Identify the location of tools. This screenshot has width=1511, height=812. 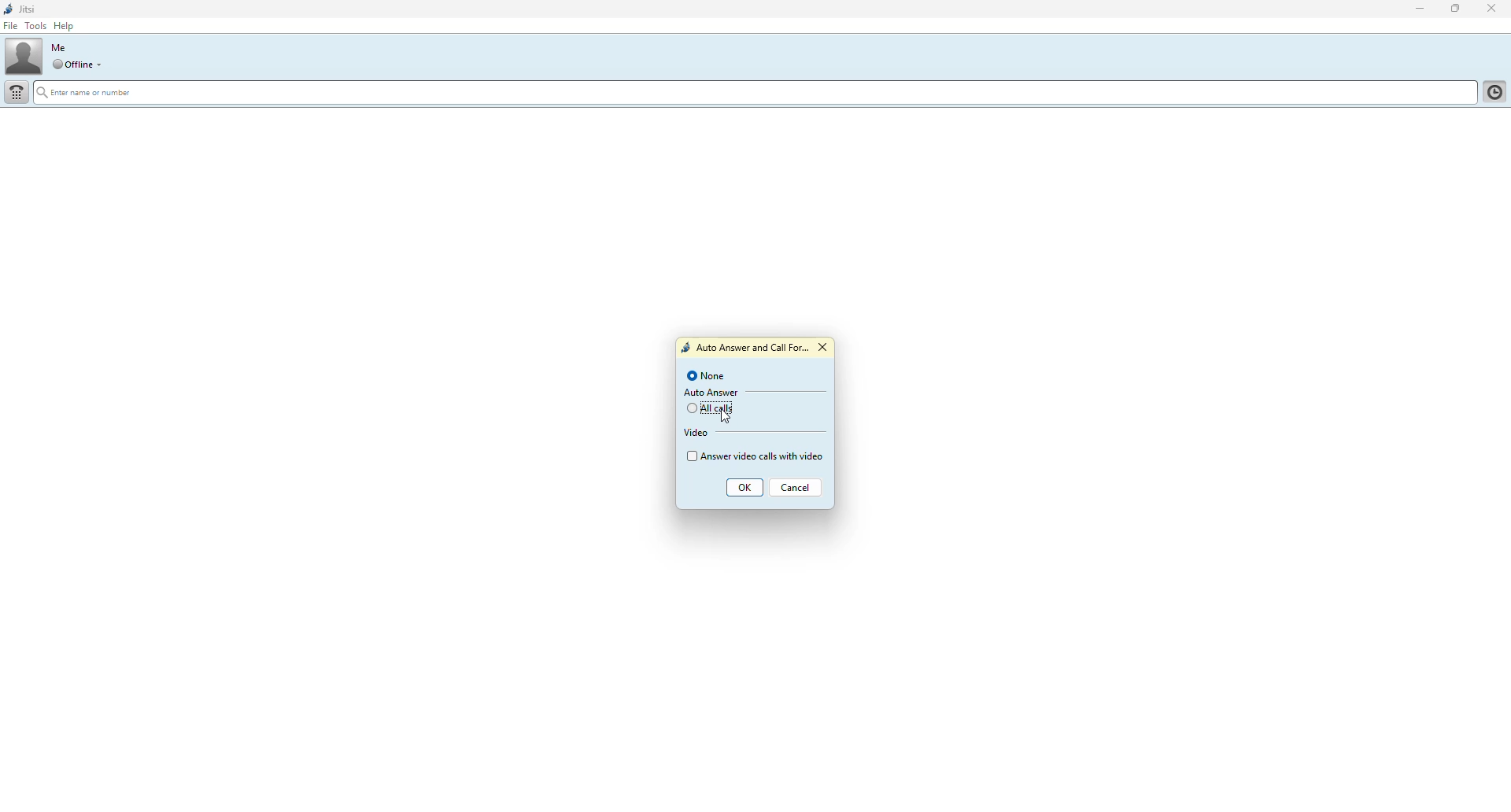
(39, 26).